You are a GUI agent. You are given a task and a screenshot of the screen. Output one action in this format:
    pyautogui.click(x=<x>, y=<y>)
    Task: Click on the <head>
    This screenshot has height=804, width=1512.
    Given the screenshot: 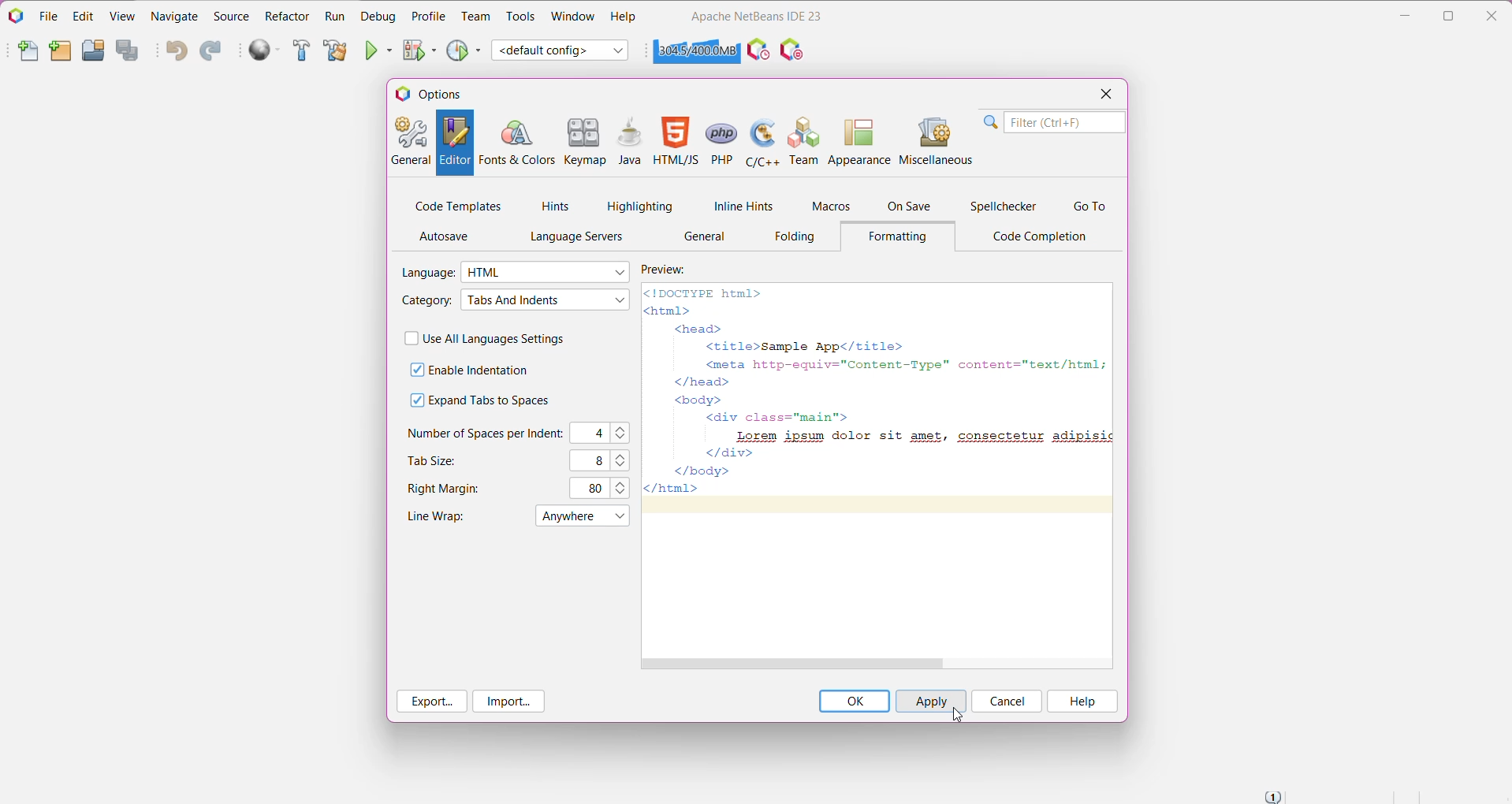 What is the action you would take?
    pyautogui.click(x=696, y=329)
    